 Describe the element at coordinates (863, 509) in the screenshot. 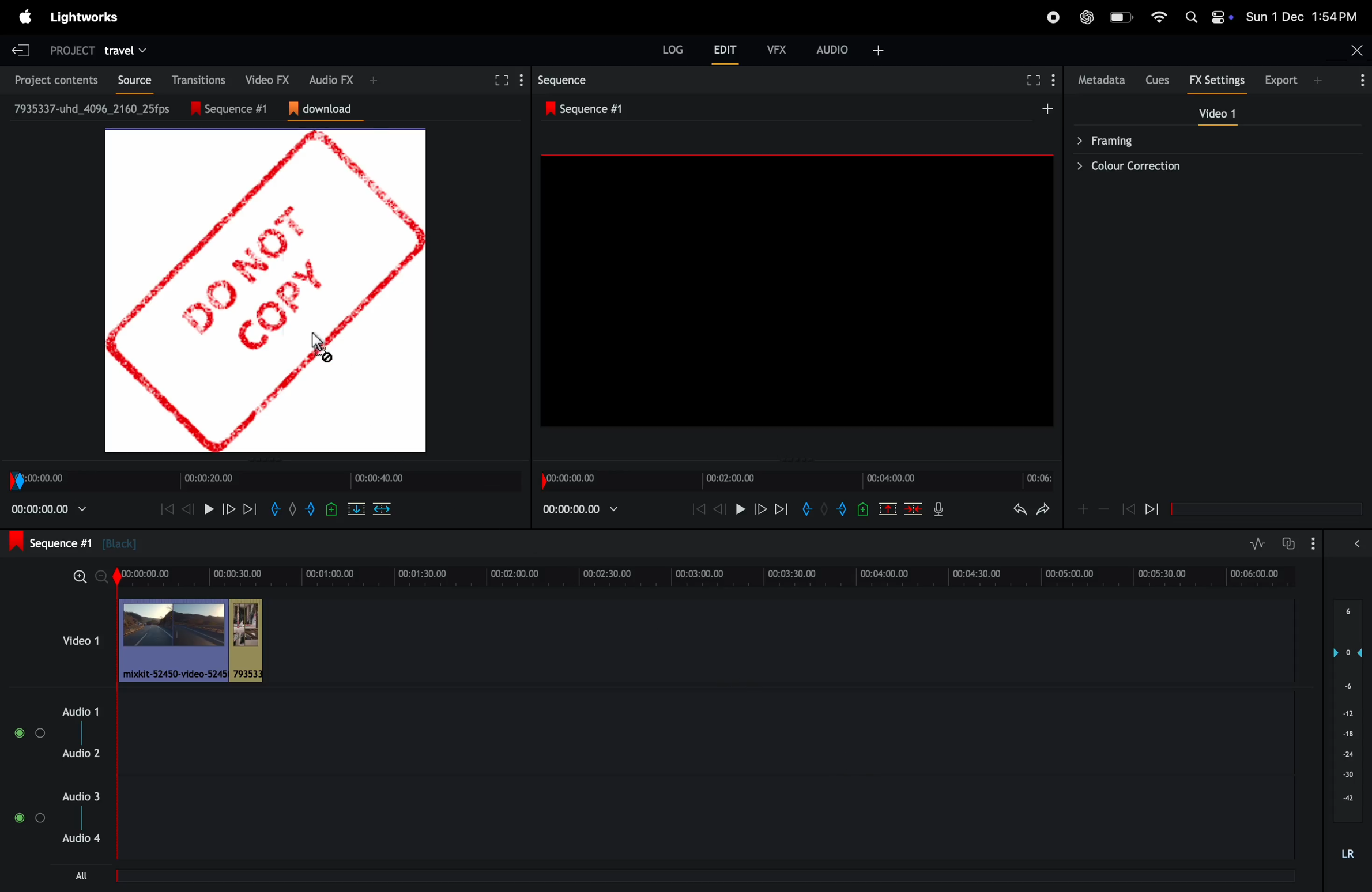

I see `add cue to current position` at that location.